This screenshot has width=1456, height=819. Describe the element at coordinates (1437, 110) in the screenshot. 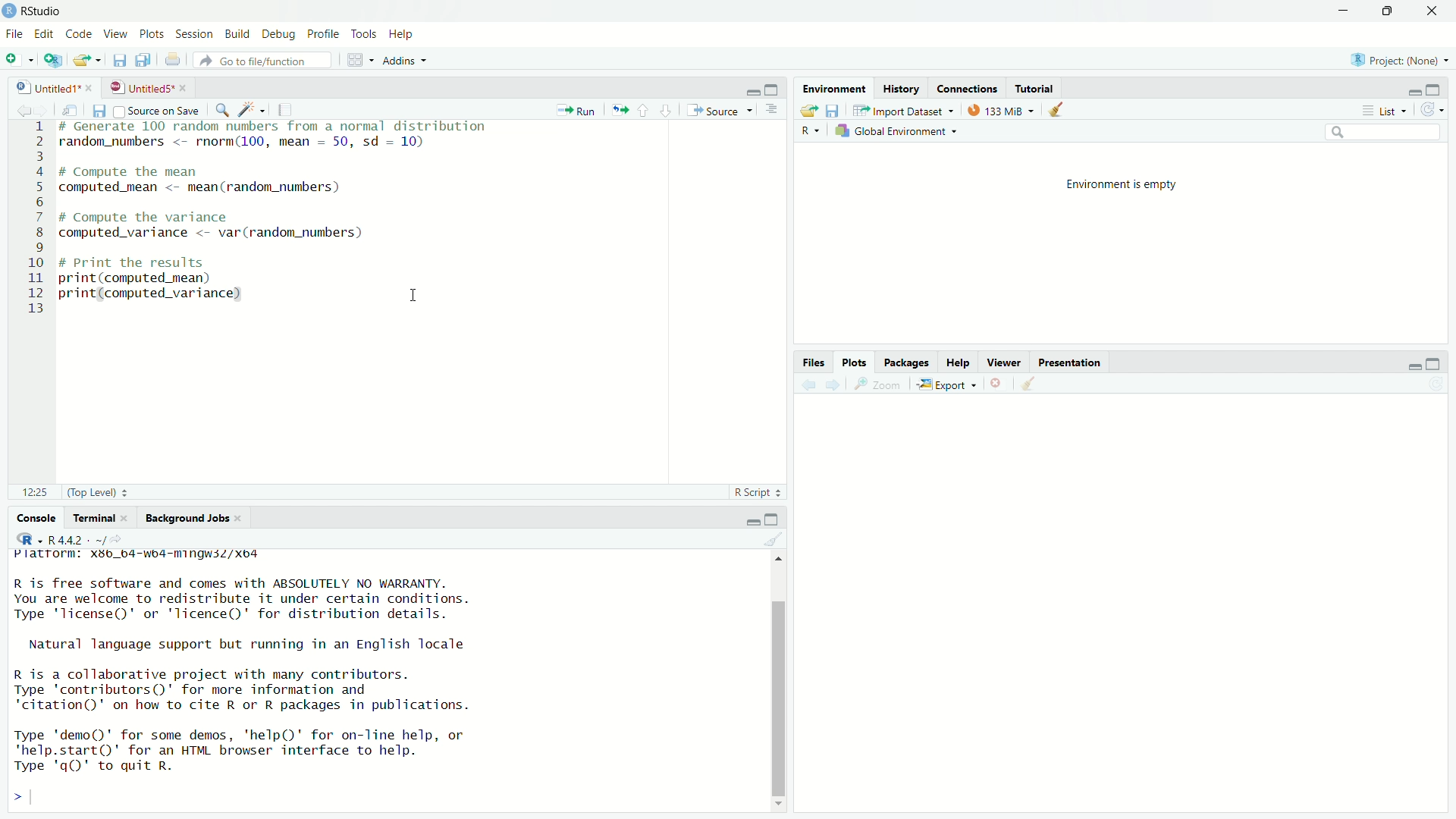

I see `refresh the list of objects in the environment` at that location.